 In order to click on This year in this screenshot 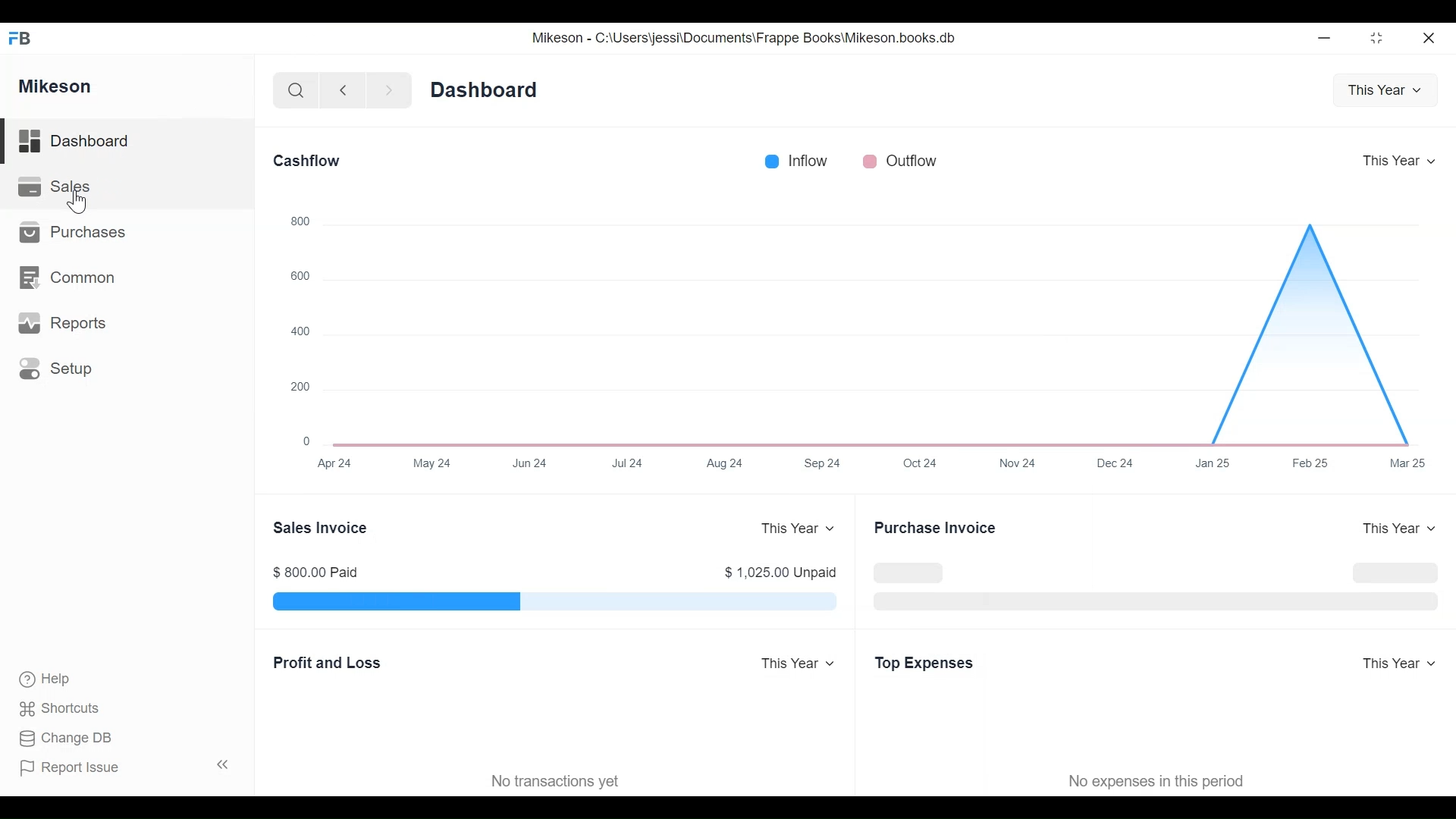, I will do `click(1382, 88)`.